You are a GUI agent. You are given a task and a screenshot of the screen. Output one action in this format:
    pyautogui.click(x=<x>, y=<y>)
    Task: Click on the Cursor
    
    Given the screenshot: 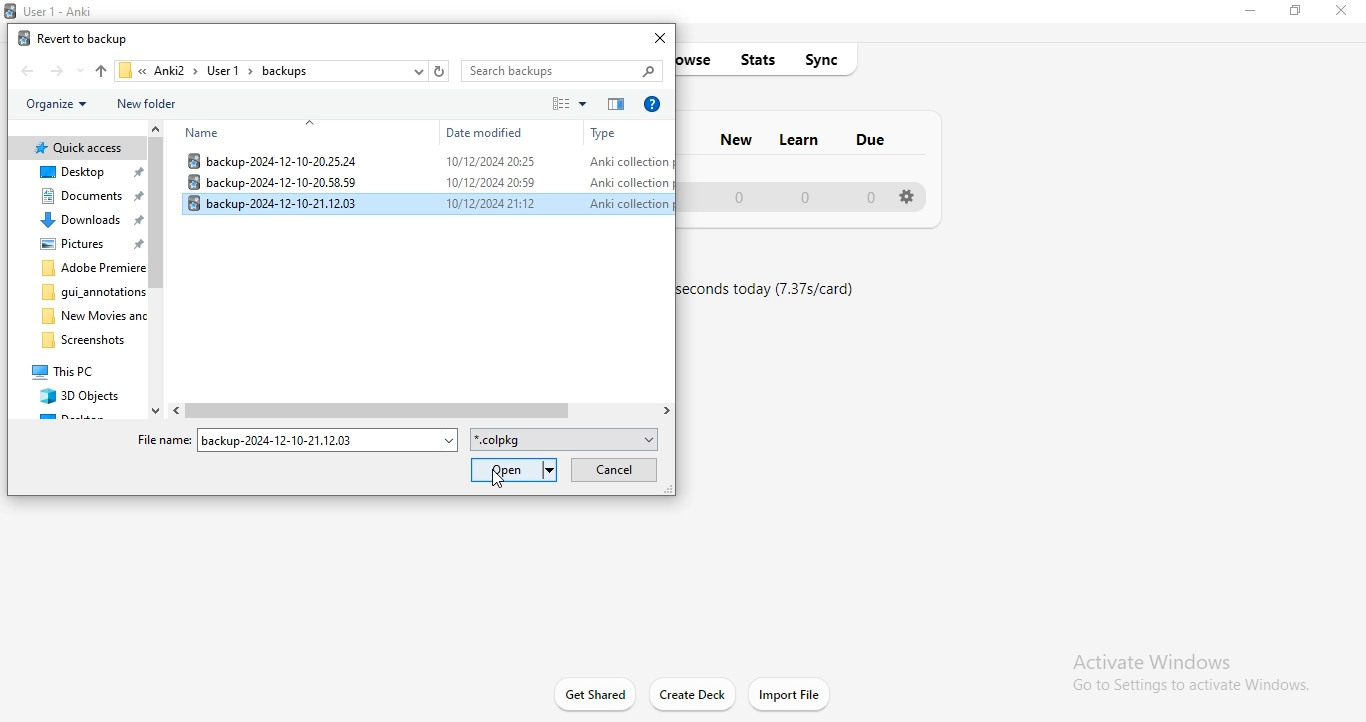 What is the action you would take?
    pyautogui.click(x=503, y=481)
    